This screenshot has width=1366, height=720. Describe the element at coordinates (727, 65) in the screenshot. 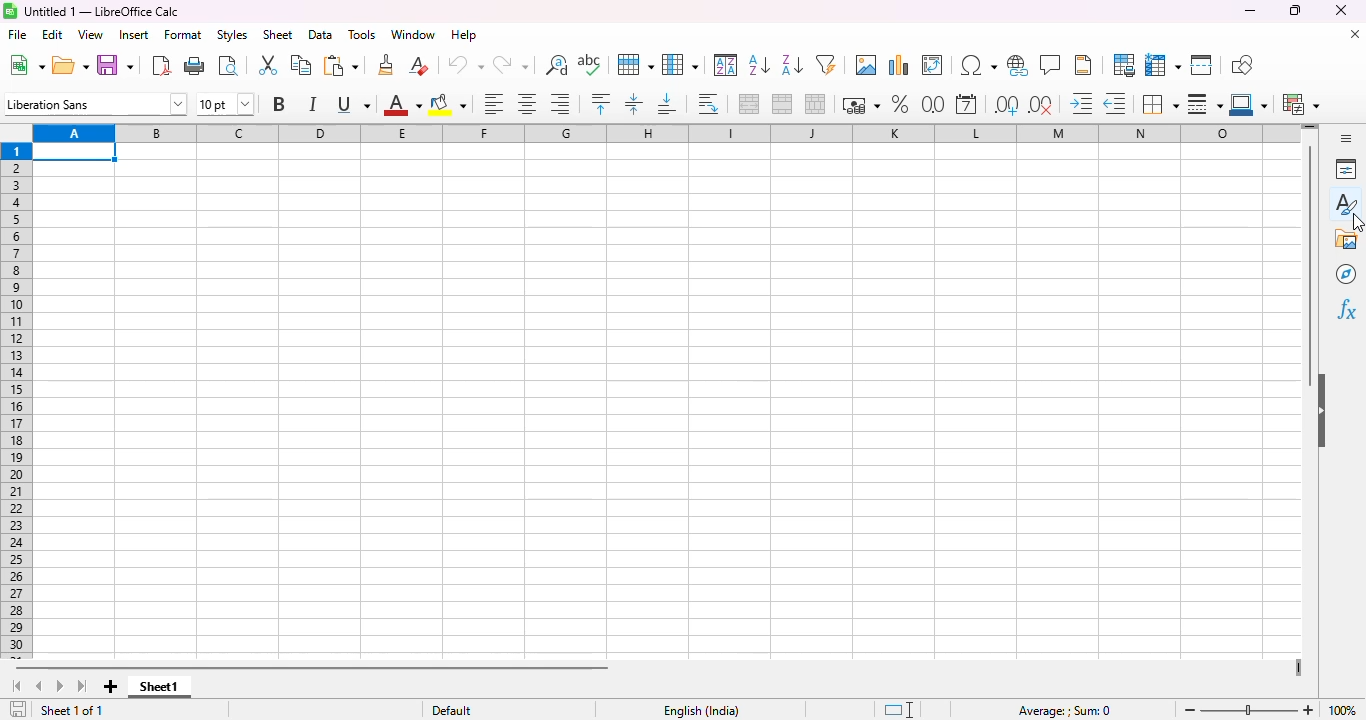

I see `sort` at that location.